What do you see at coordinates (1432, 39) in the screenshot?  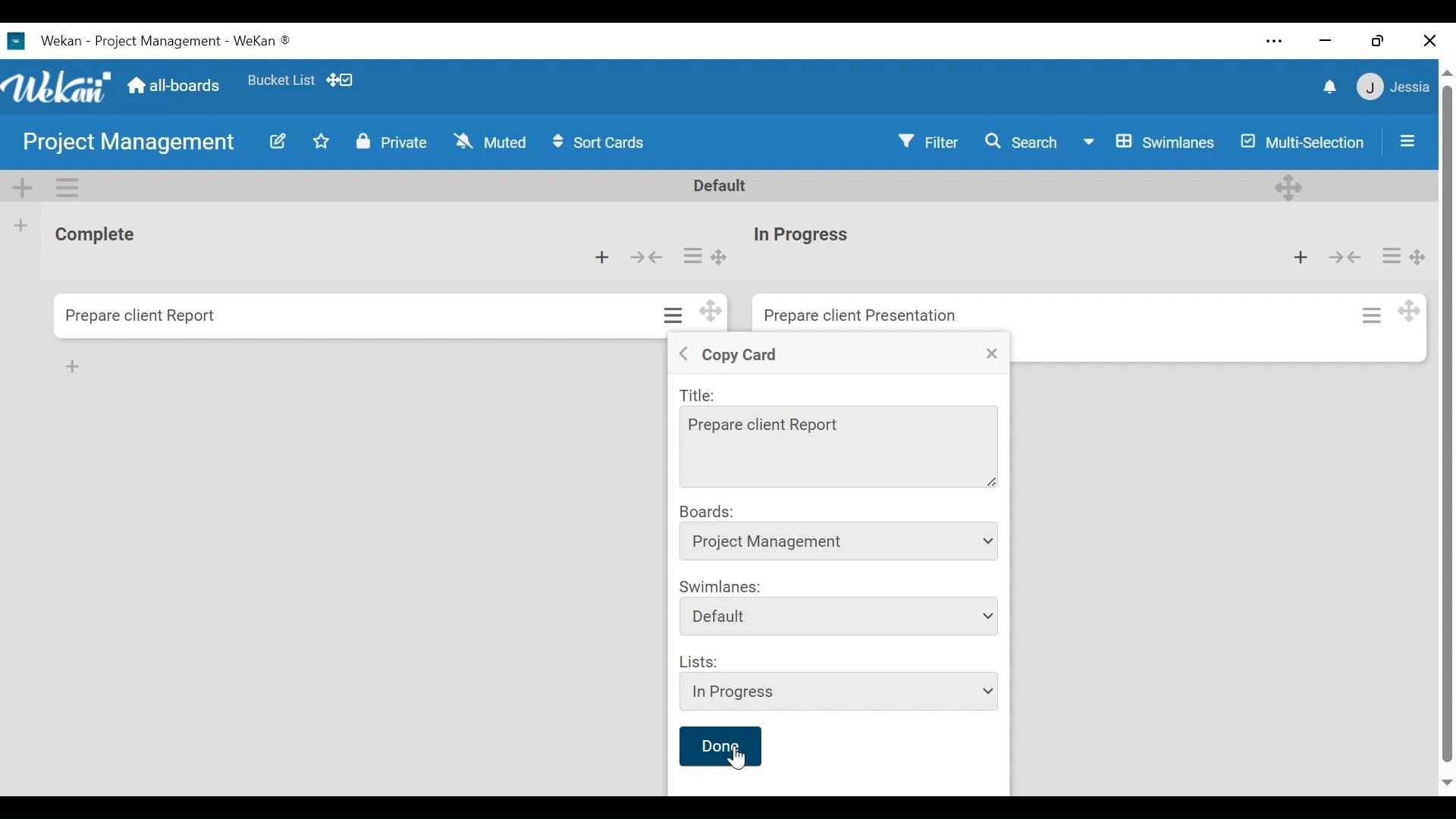 I see `Close` at bounding box center [1432, 39].